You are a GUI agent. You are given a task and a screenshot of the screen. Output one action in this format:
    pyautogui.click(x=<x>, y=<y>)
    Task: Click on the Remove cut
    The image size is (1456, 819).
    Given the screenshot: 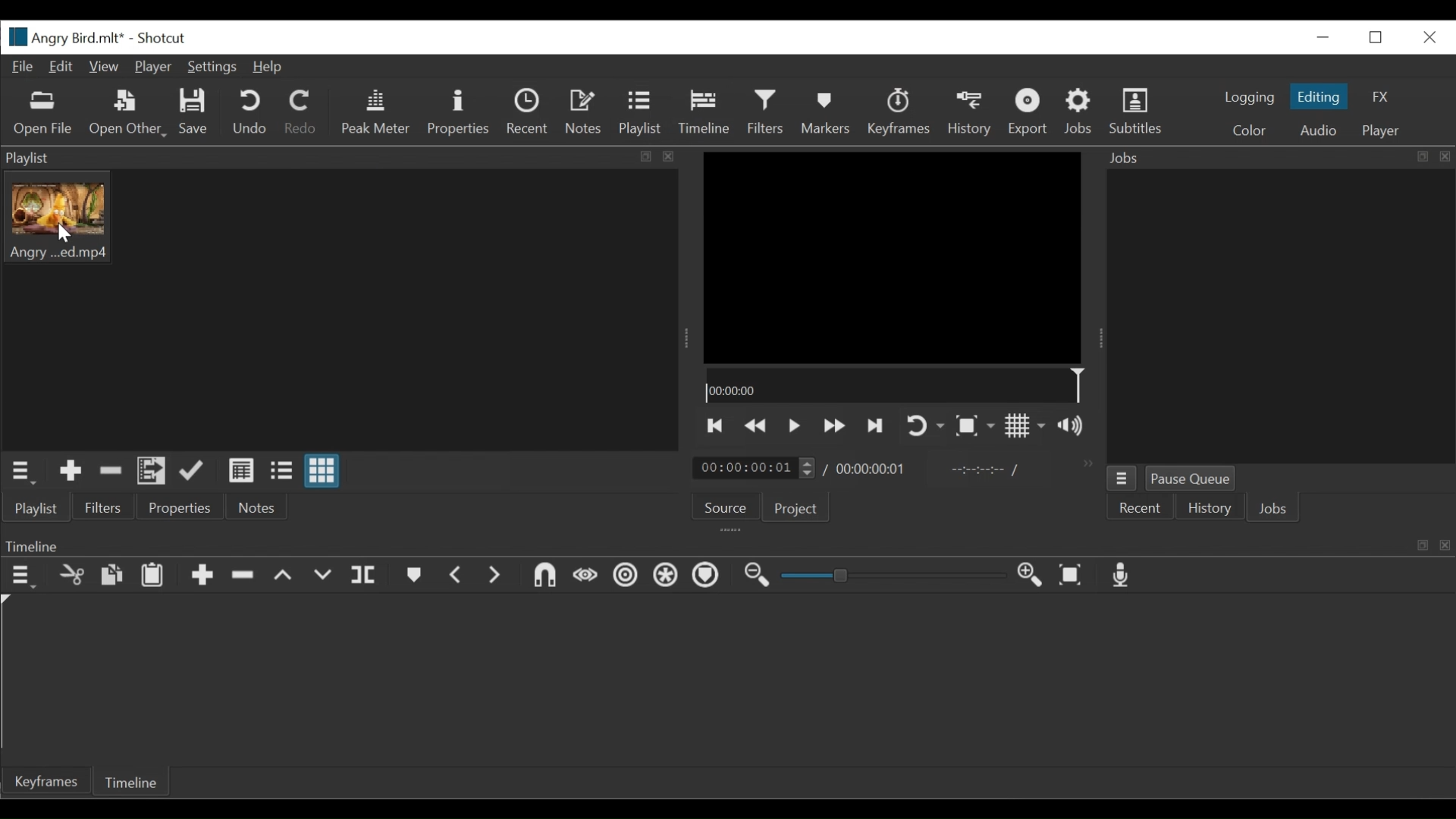 What is the action you would take?
    pyautogui.click(x=111, y=472)
    